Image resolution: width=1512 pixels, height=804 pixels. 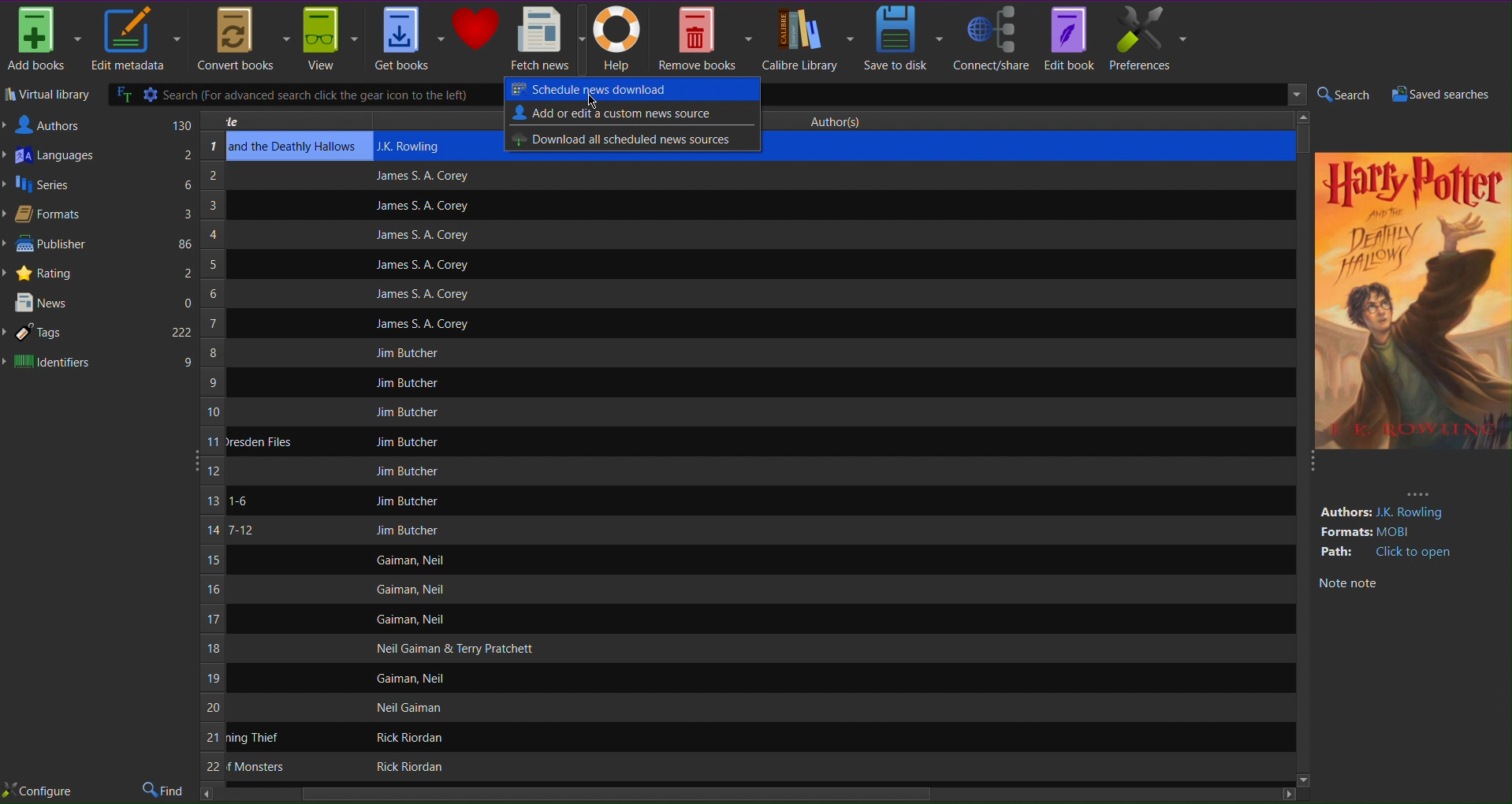 What do you see at coordinates (1345, 533) in the screenshot?
I see `Formats :` at bounding box center [1345, 533].